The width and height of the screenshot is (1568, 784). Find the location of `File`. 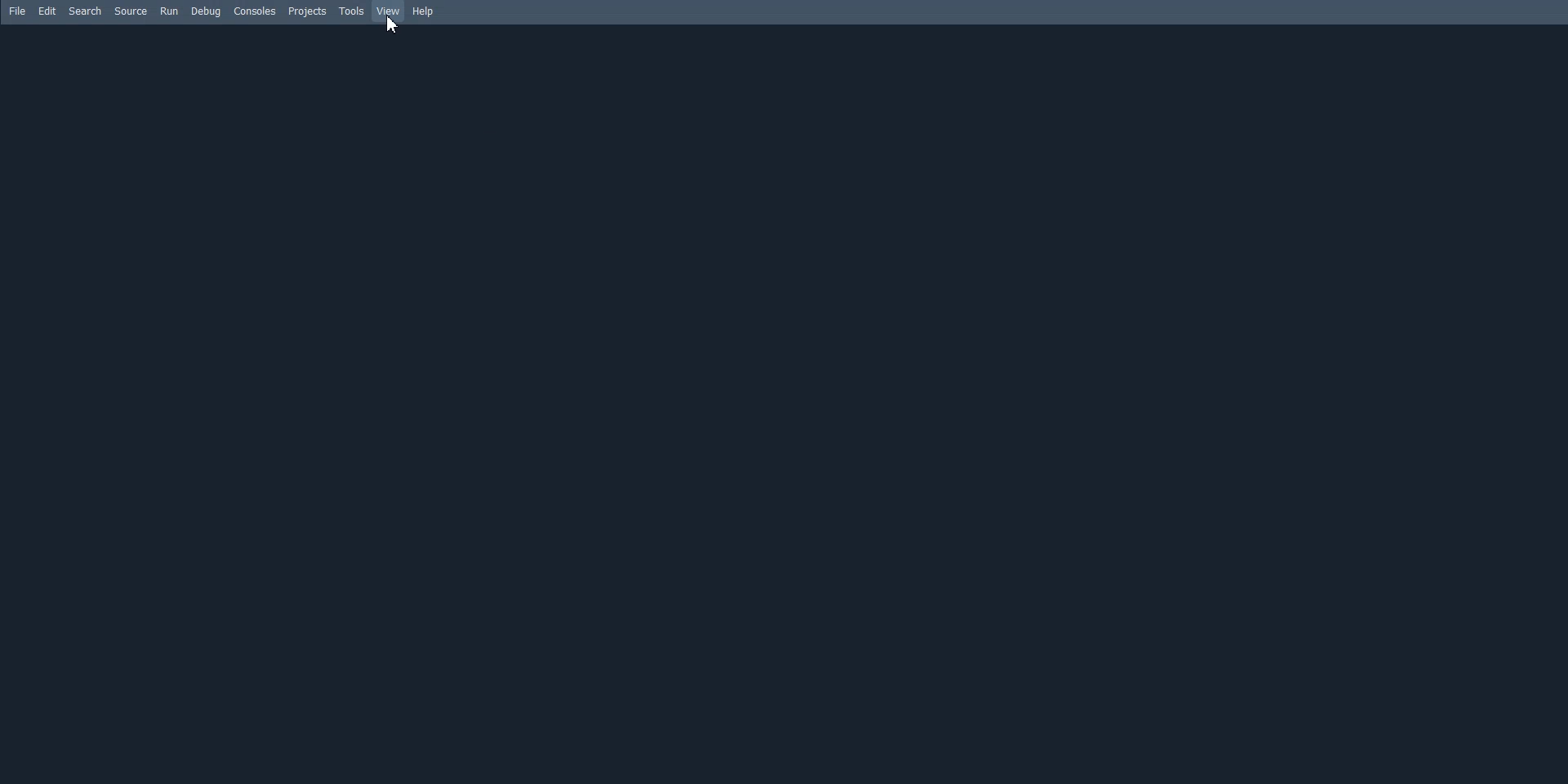

File is located at coordinates (17, 11).